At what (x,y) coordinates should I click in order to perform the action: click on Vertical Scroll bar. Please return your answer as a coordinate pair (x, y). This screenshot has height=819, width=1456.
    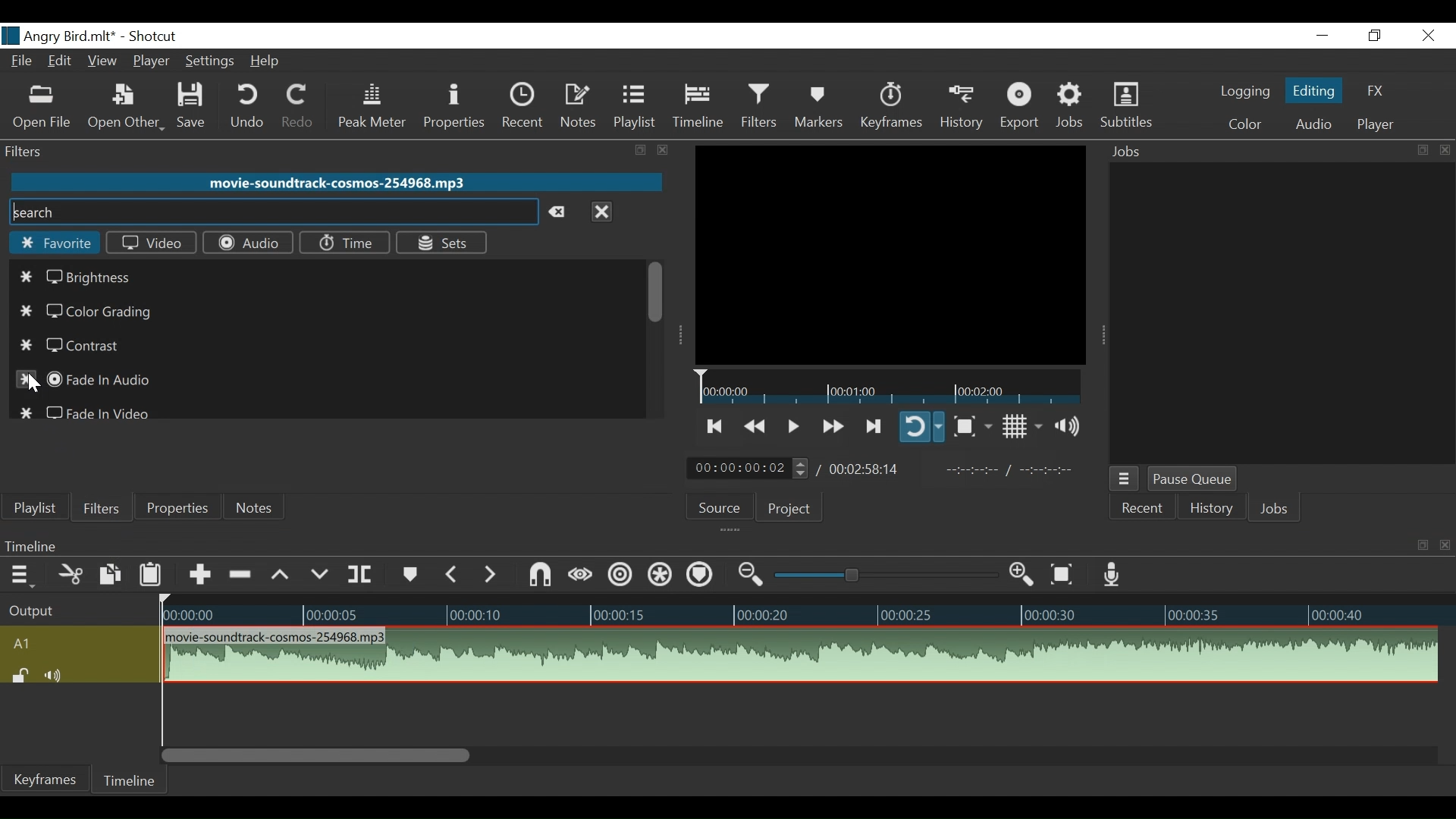
    Looking at the image, I should click on (316, 755).